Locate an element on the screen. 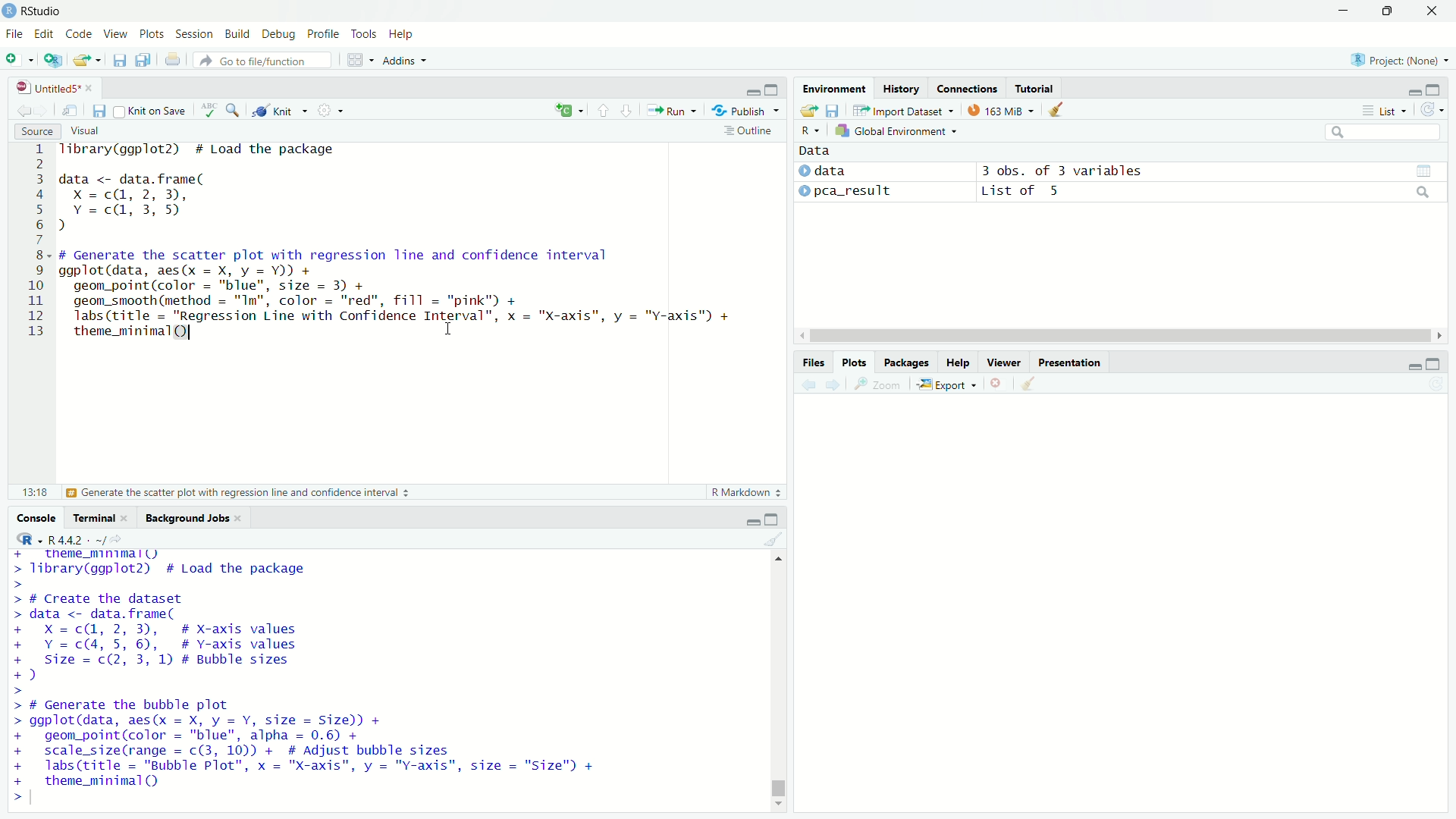 The height and width of the screenshot is (819, 1456). 163 MiB is located at coordinates (1000, 109).